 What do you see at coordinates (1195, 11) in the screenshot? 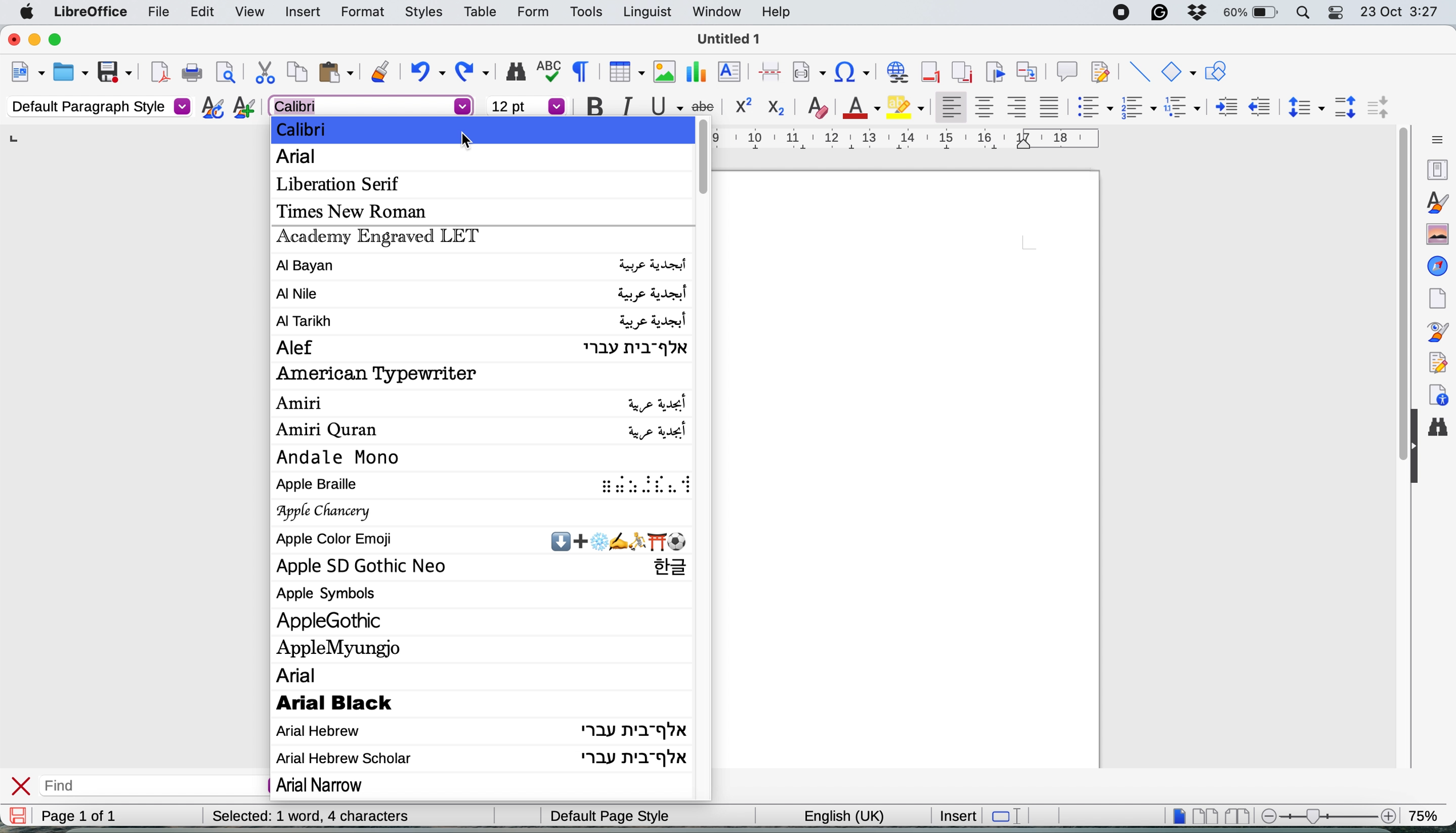
I see `dropbox` at bounding box center [1195, 11].